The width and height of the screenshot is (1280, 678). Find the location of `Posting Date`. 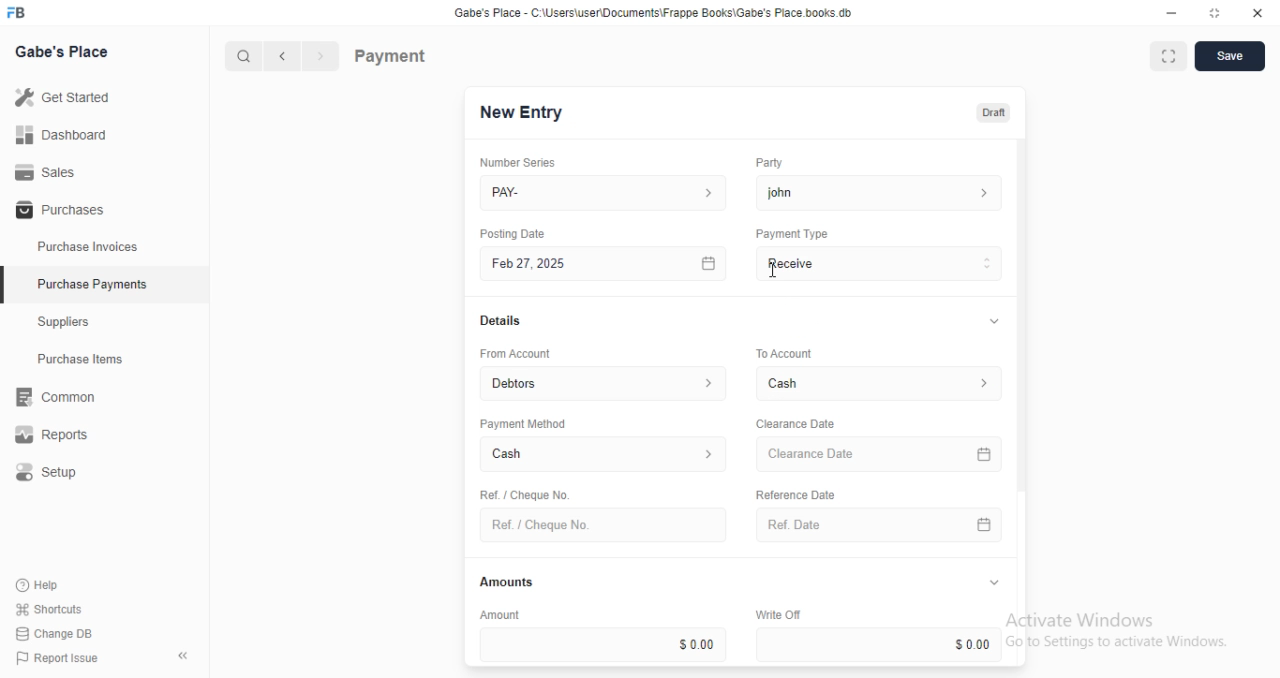

Posting Date is located at coordinates (514, 233).